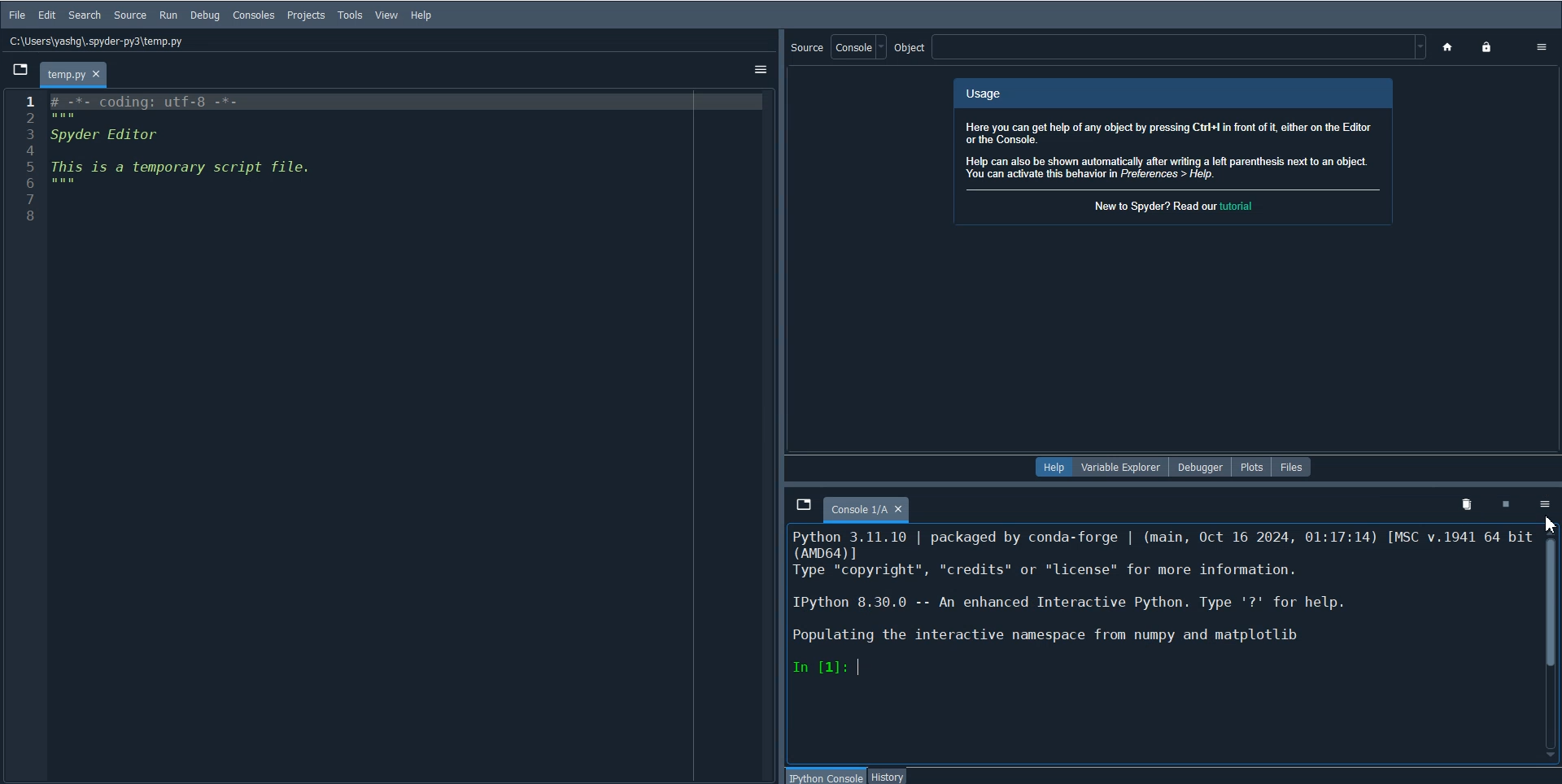 This screenshot has width=1562, height=784. Describe the element at coordinates (1173, 133) in the screenshot. I see `UsageHere you can get help of any object by pressing Ctri+l in front of it, either on the Editoror the Console.Help can also be shown automatically after writing a left parenthesis next to an objectYou can activate this behavior in Preferences > Help.` at that location.